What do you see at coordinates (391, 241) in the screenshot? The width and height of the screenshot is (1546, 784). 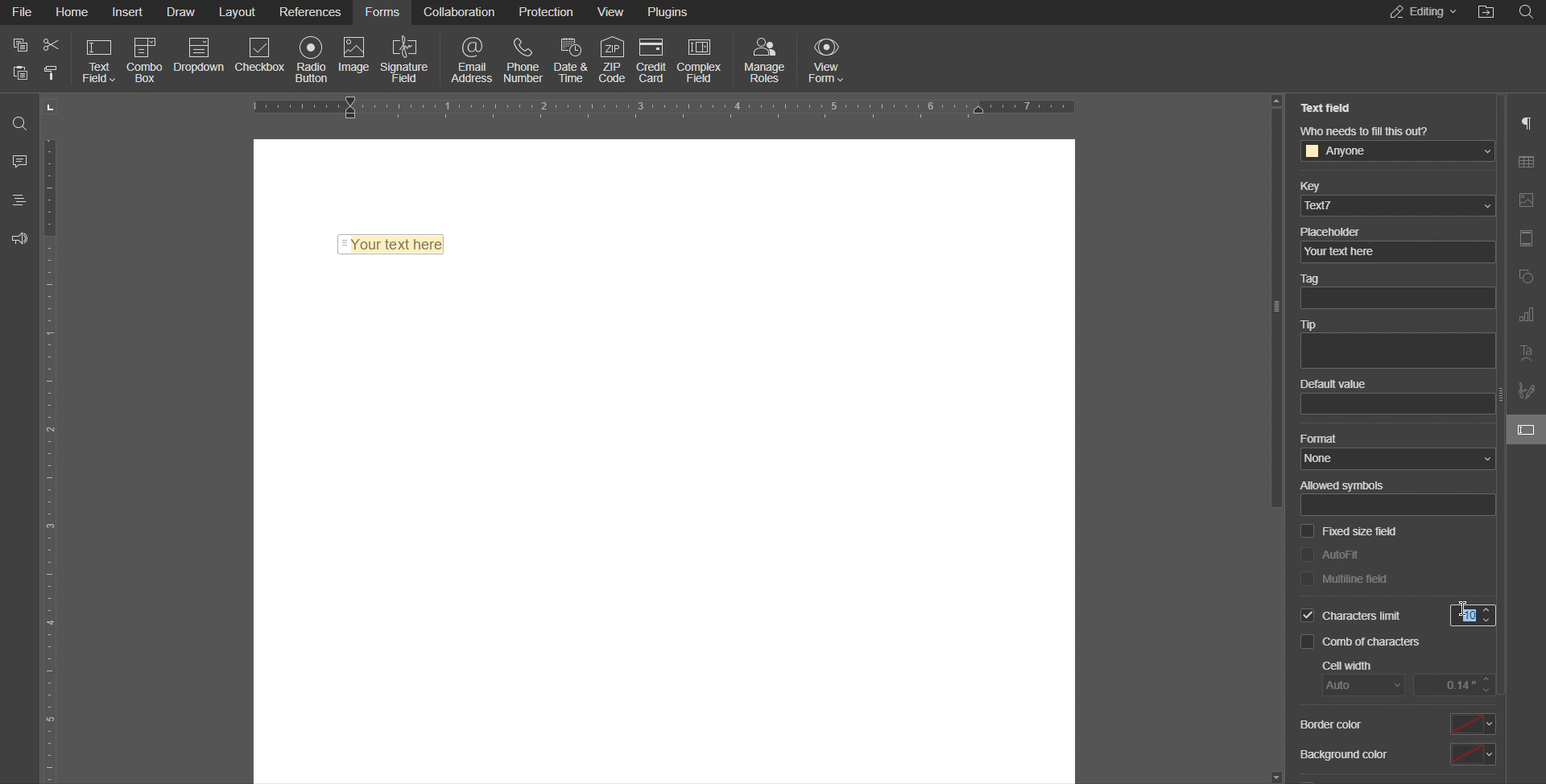 I see `Text Field` at bounding box center [391, 241].